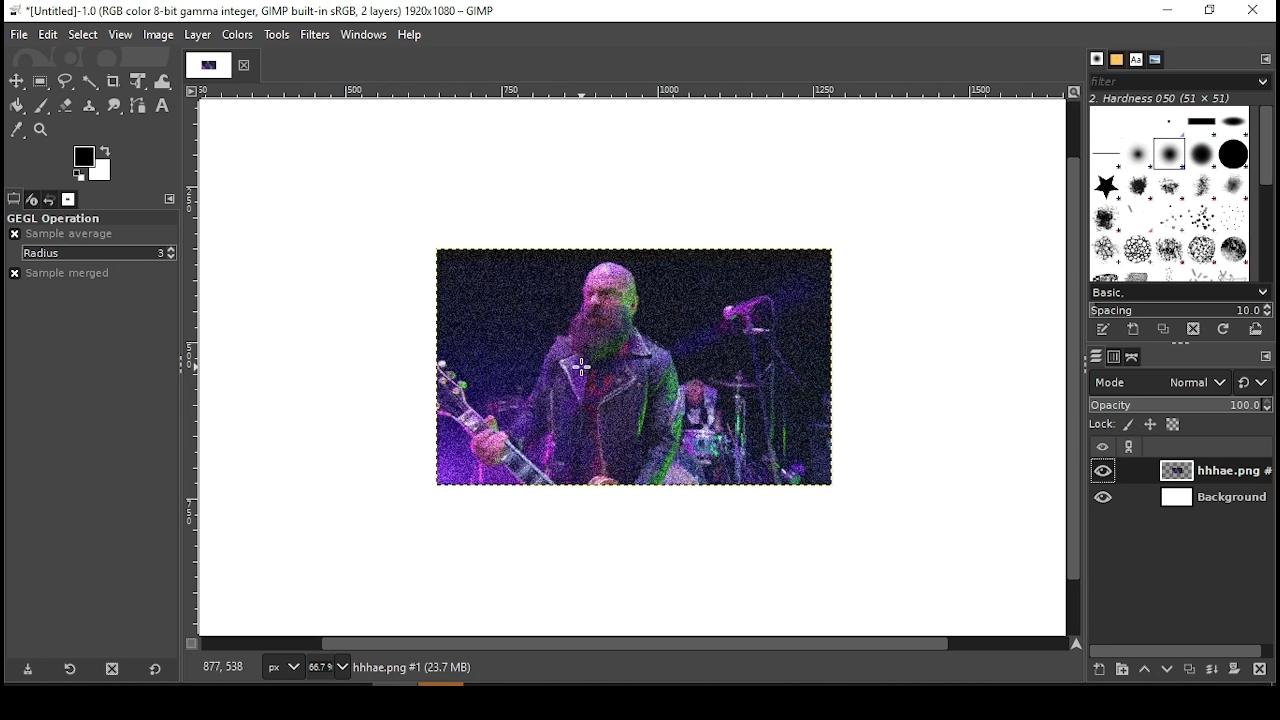 This screenshot has width=1280, height=720. Describe the element at coordinates (1104, 496) in the screenshot. I see `layer visibility on/off` at that location.